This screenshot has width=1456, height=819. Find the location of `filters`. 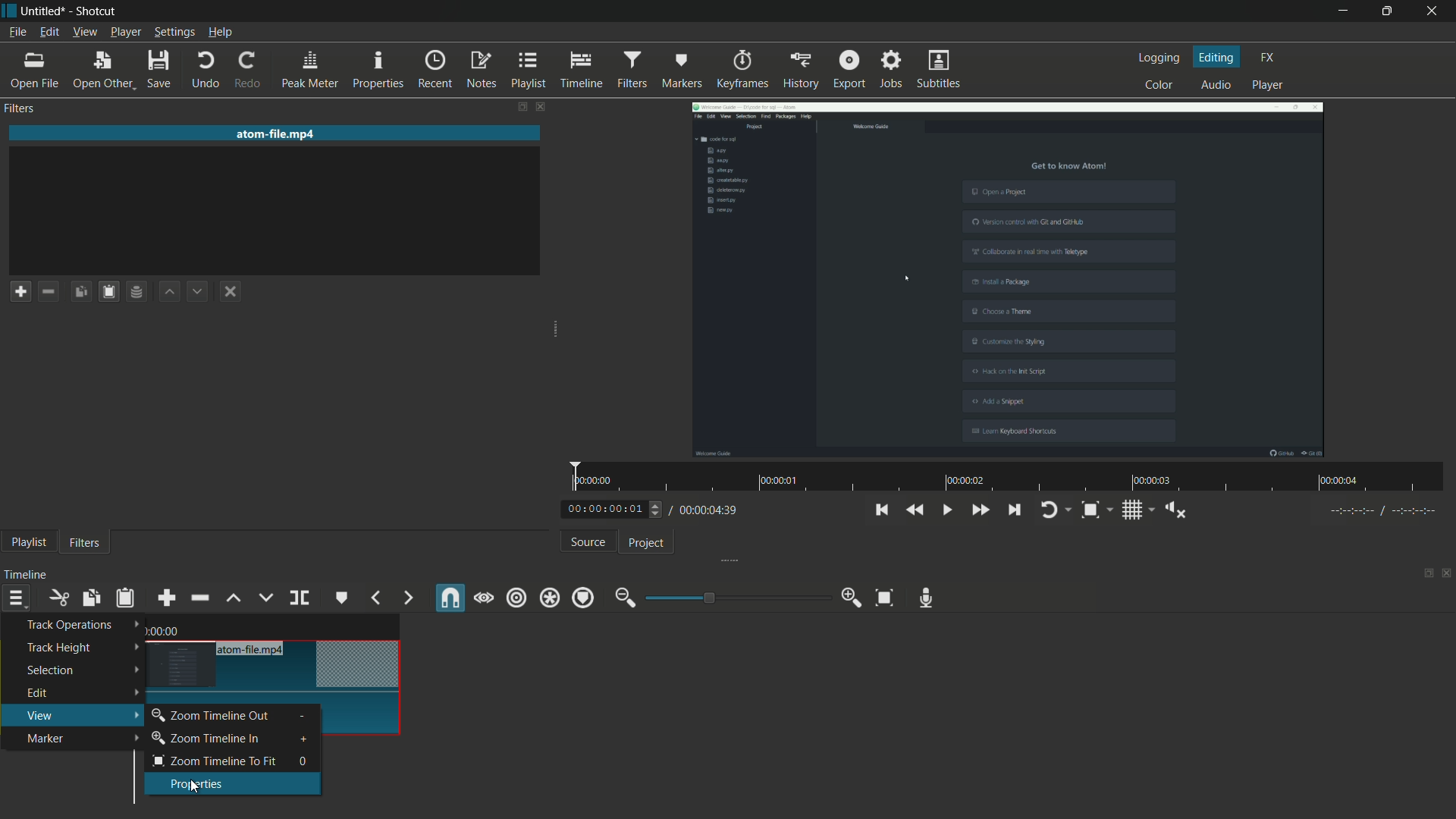

filters is located at coordinates (85, 542).